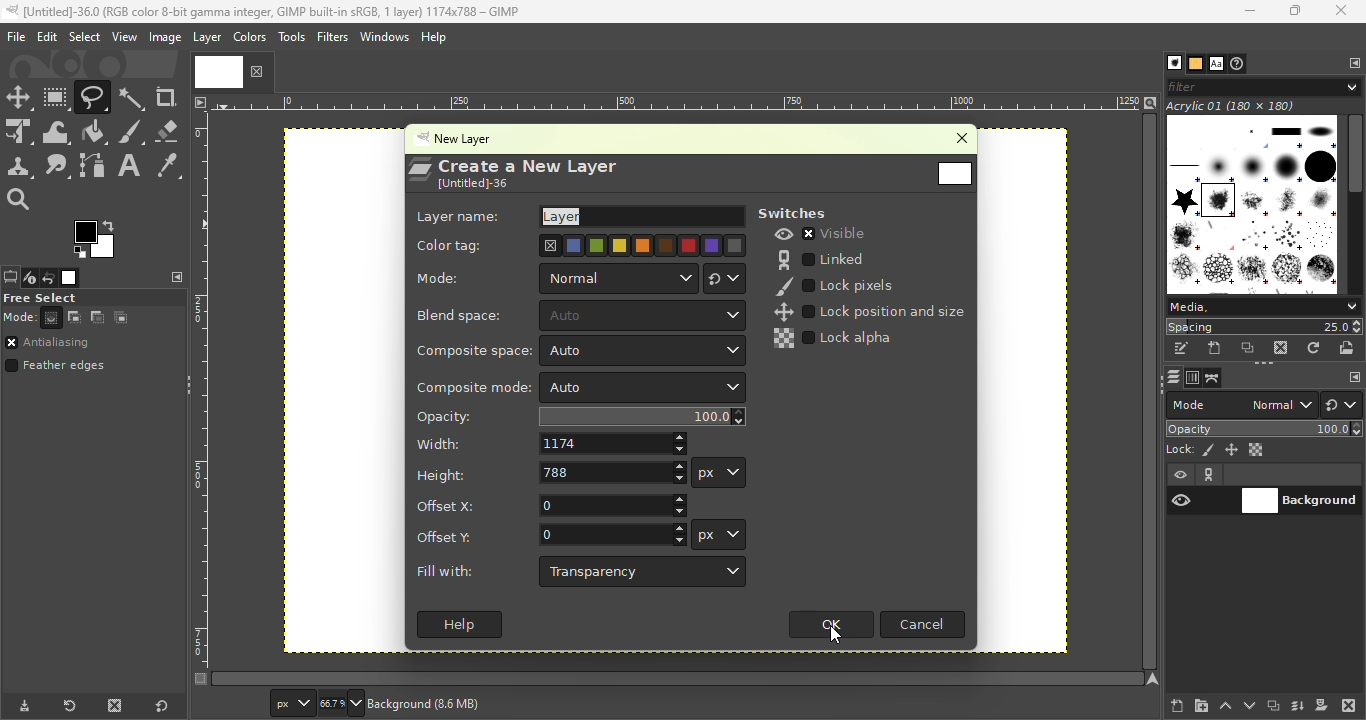  Describe the element at coordinates (74, 317) in the screenshot. I see `Add to the current selection` at that location.